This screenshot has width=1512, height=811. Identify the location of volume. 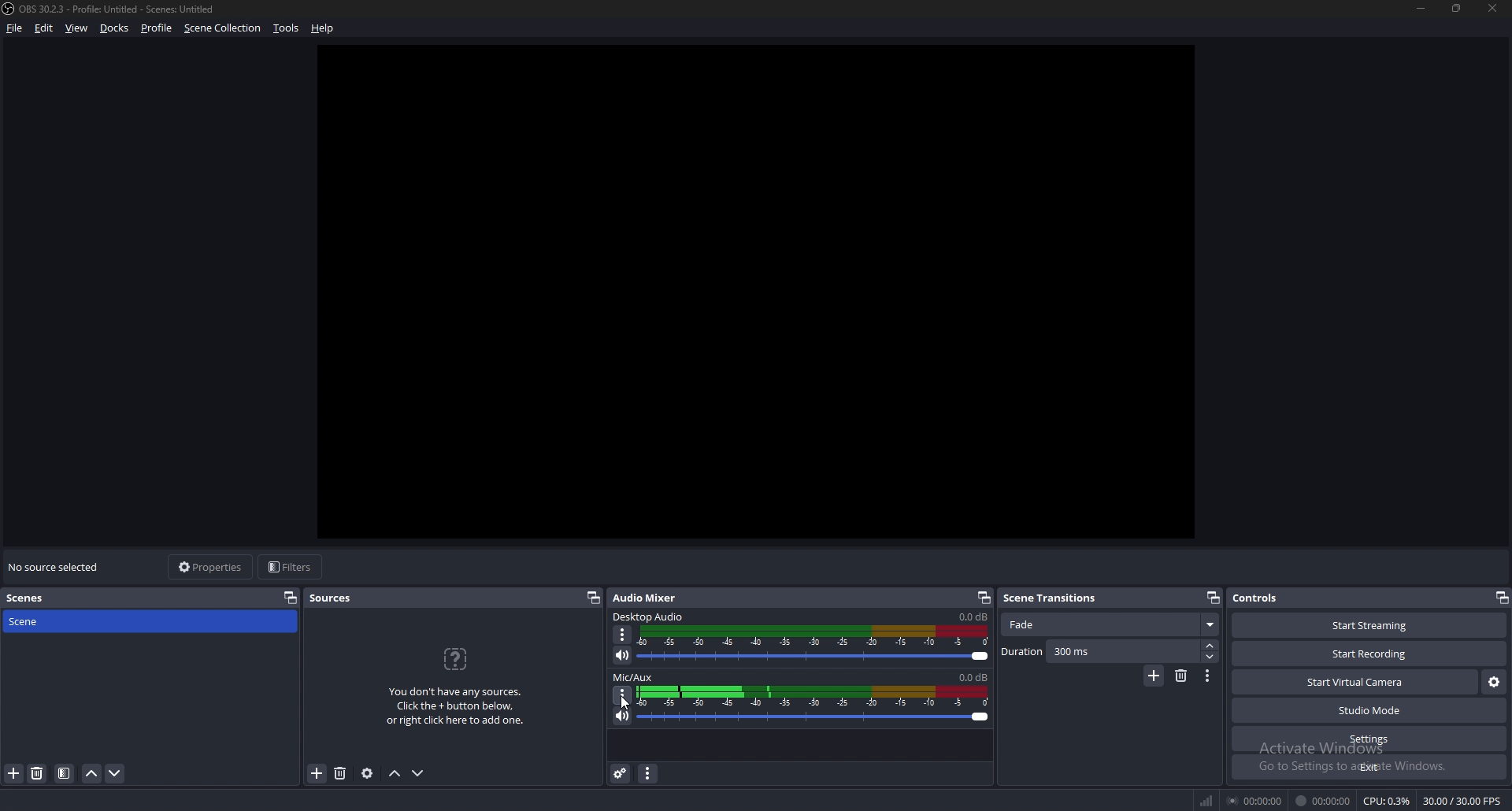
(973, 677).